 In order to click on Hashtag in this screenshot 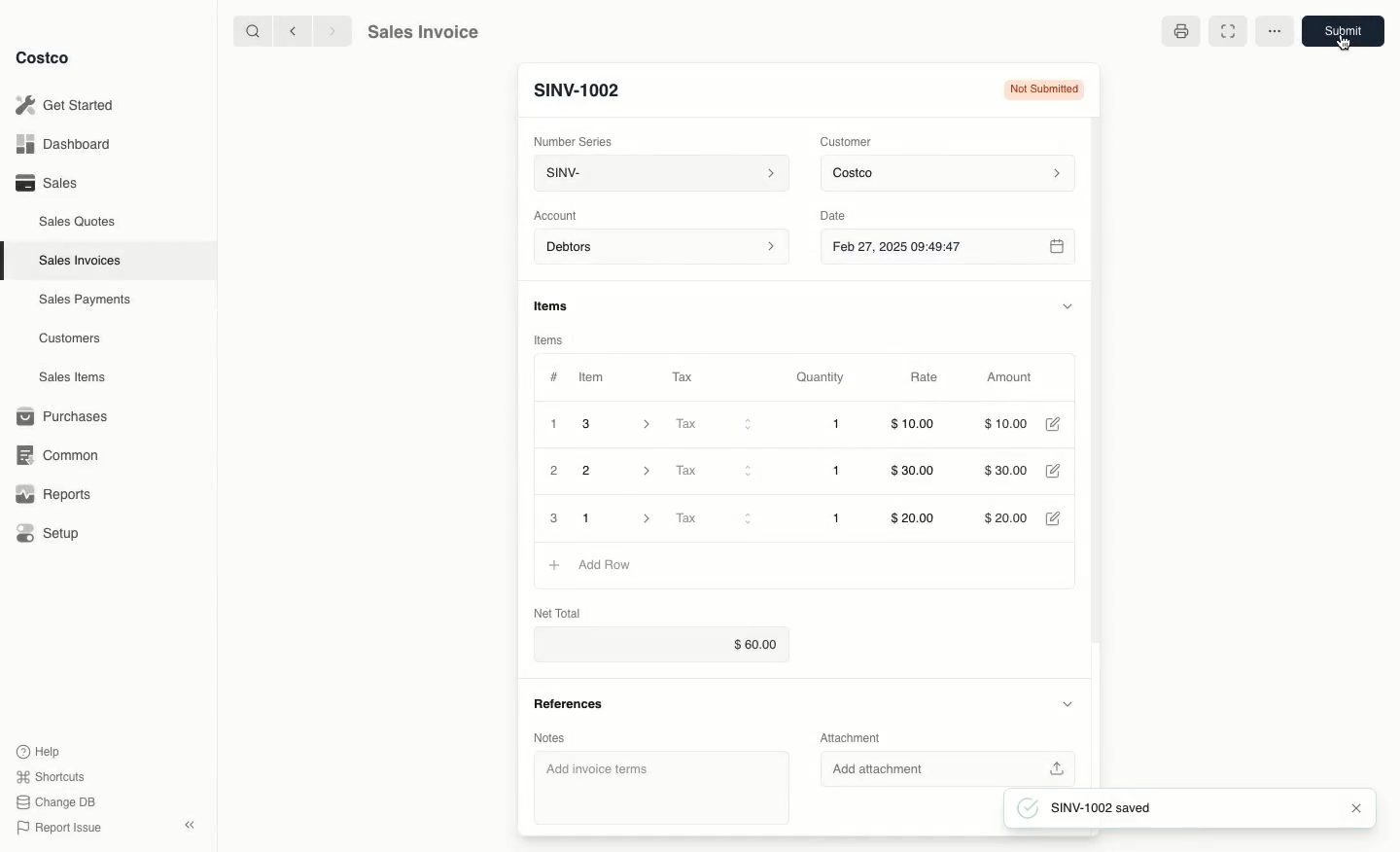, I will do `click(553, 377)`.